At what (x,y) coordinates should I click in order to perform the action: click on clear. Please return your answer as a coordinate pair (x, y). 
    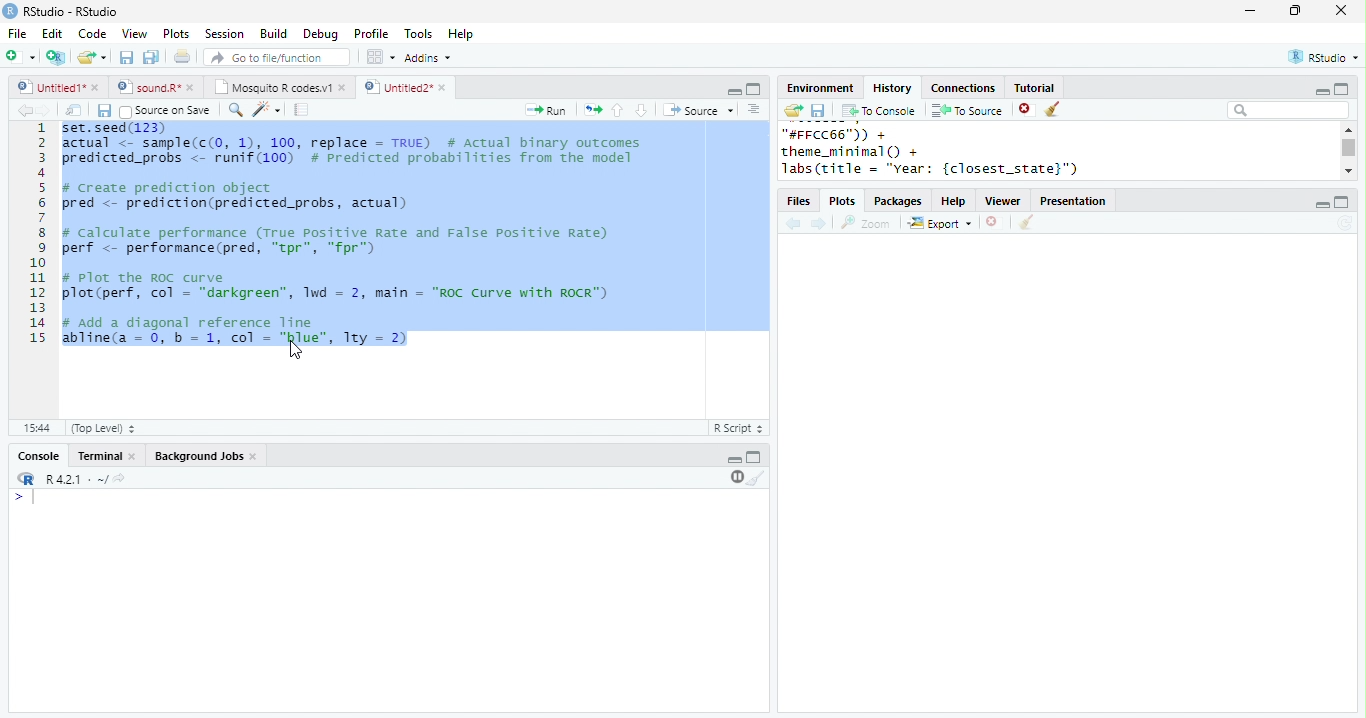
    Looking at the image, I should click on (1054, 110).